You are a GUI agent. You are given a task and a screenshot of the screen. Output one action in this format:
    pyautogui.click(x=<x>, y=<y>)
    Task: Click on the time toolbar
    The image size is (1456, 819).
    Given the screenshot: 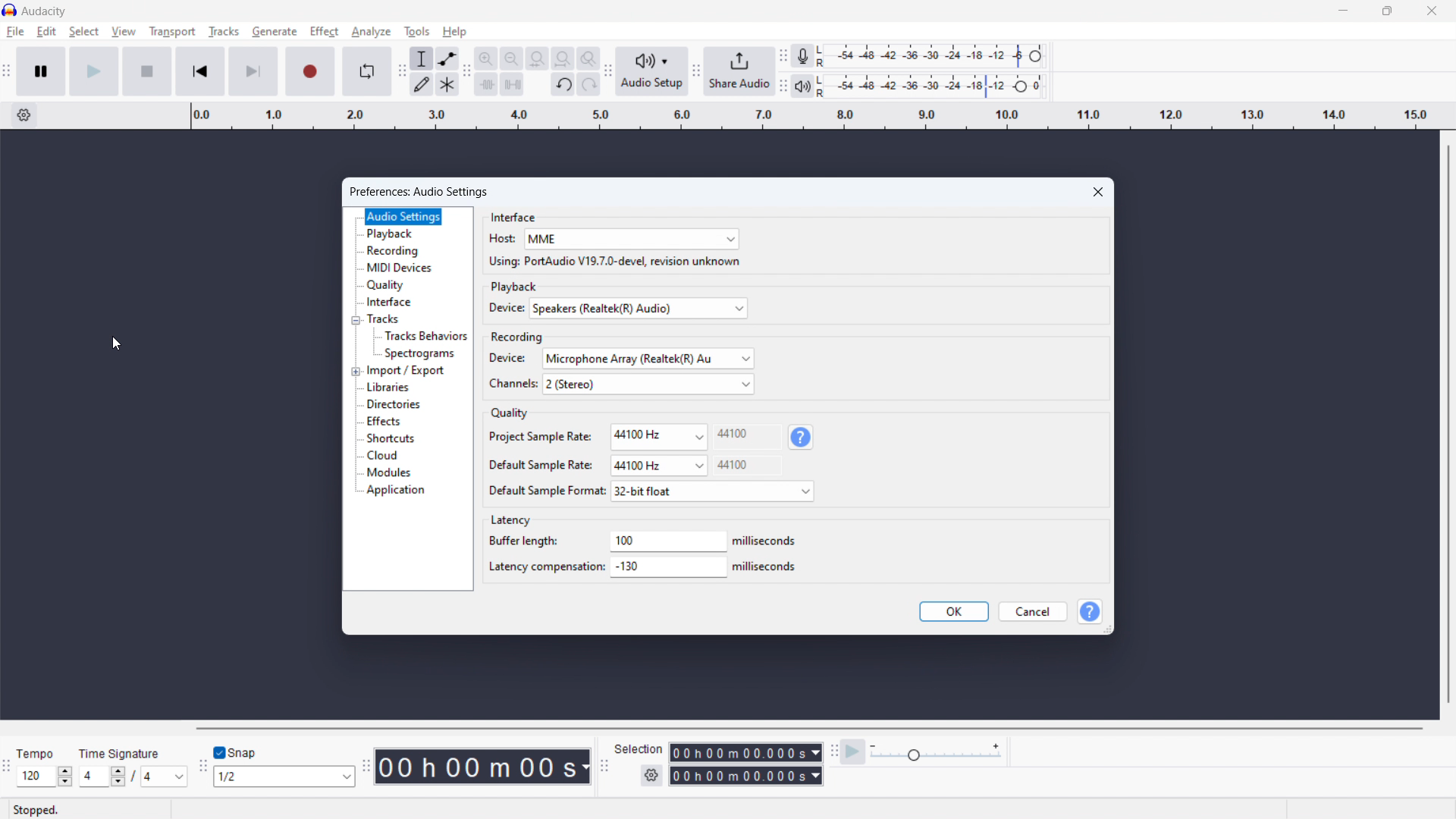 What is the action you would take?
    pyautogui.click(x=366, y=767)
    